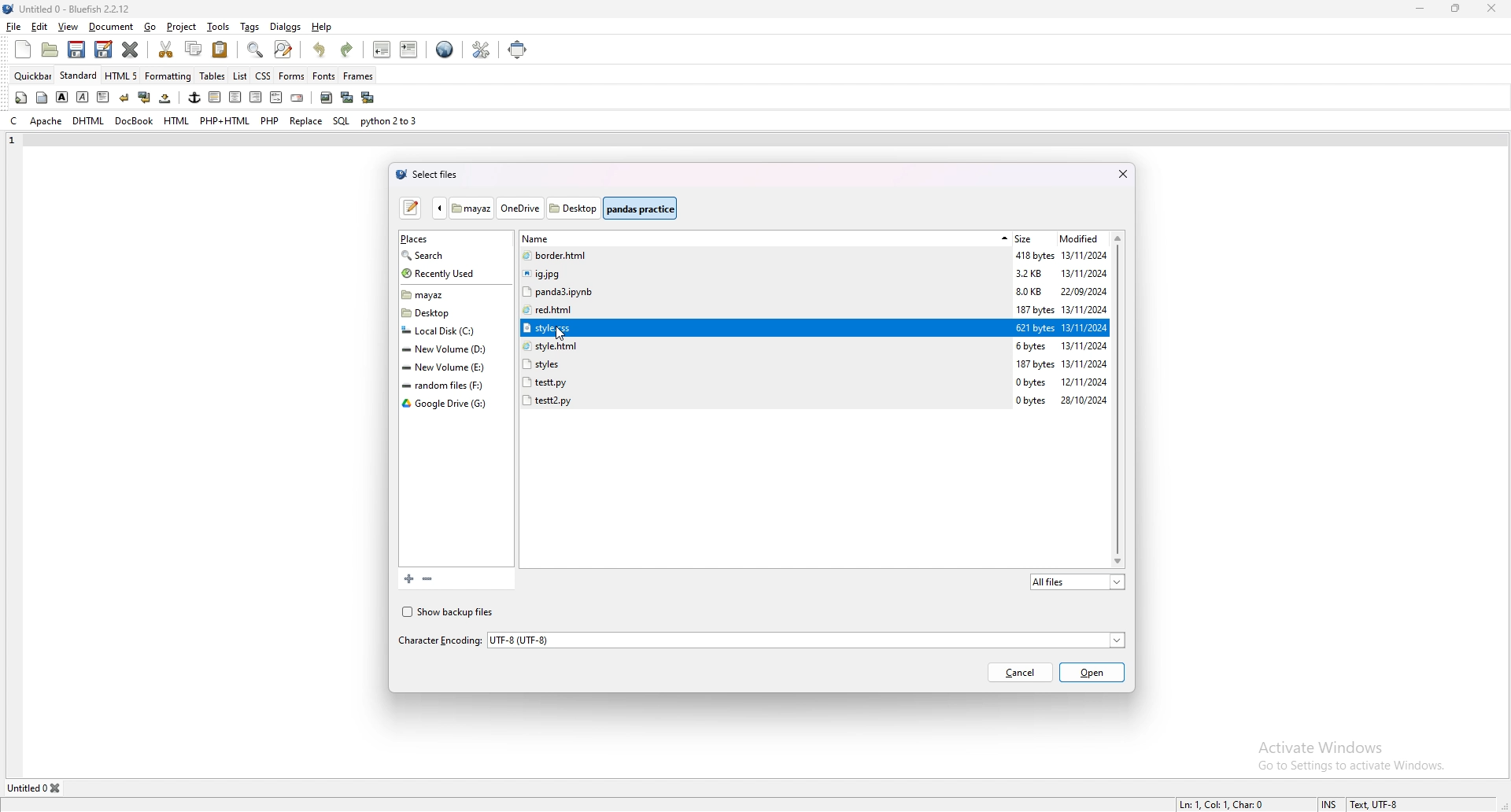  Describe the element at coordinates (57, 789) in the screenshot. I see `close tab` at that location.